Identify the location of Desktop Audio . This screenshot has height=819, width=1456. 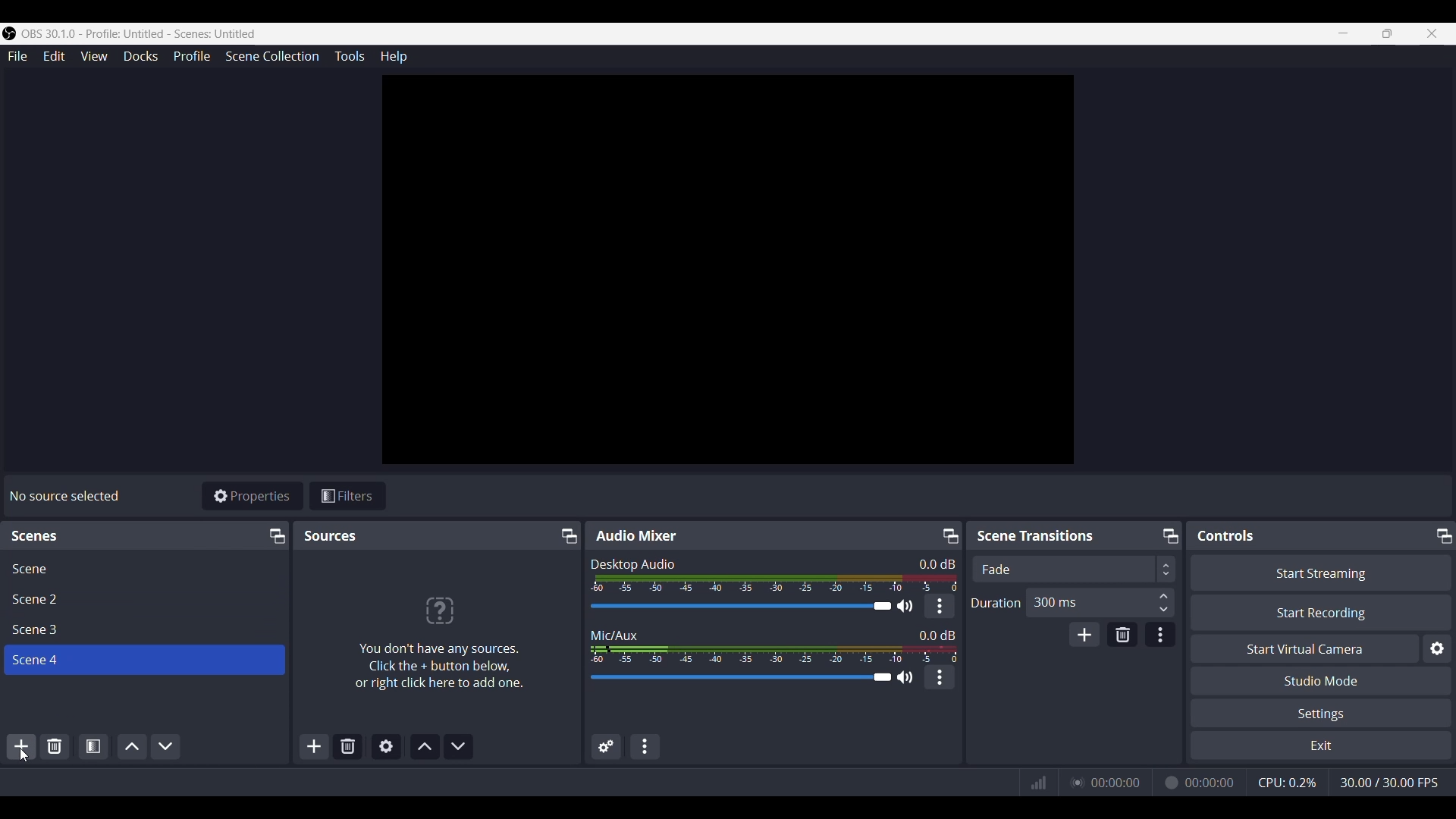
(632, 563).